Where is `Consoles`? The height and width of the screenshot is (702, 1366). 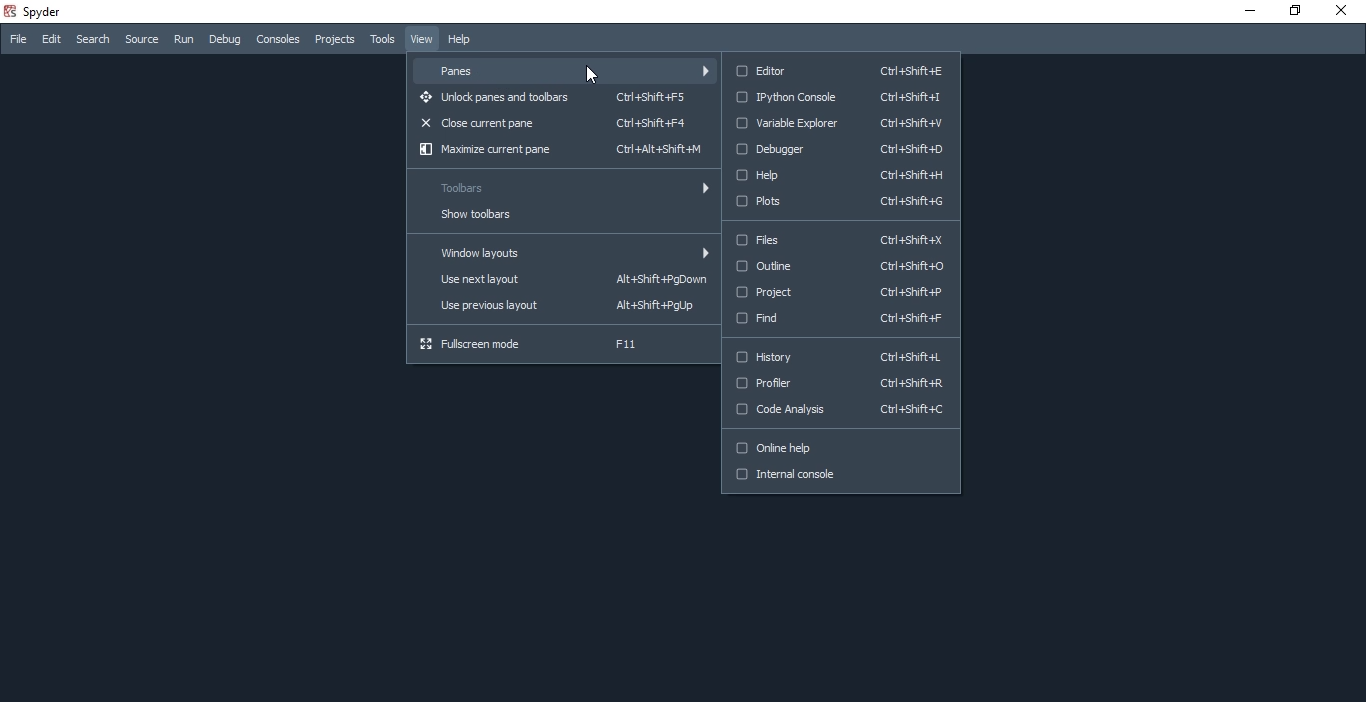 Consoles is located at coordinates (277, 39).